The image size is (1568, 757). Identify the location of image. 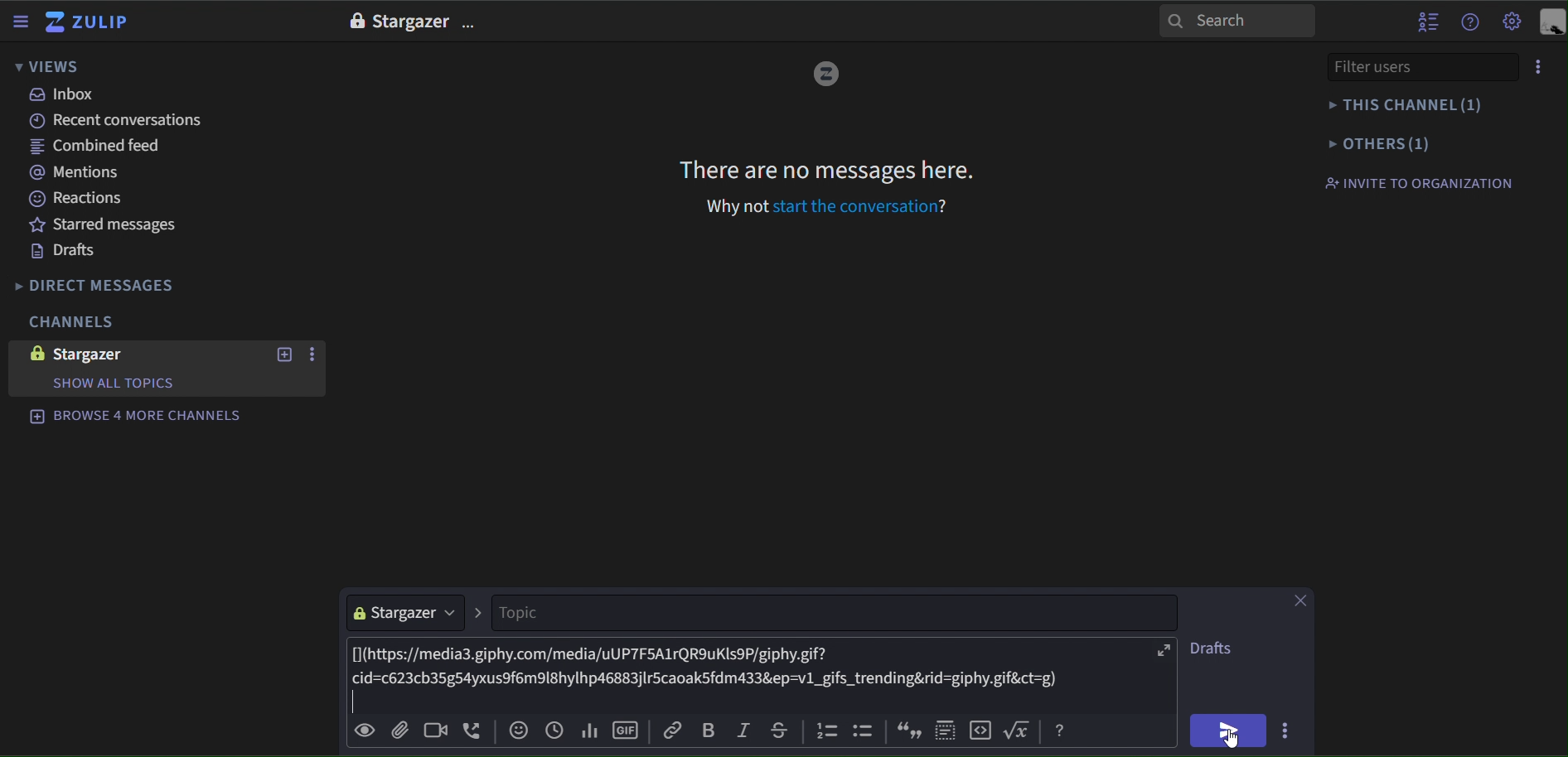
(355, 21).